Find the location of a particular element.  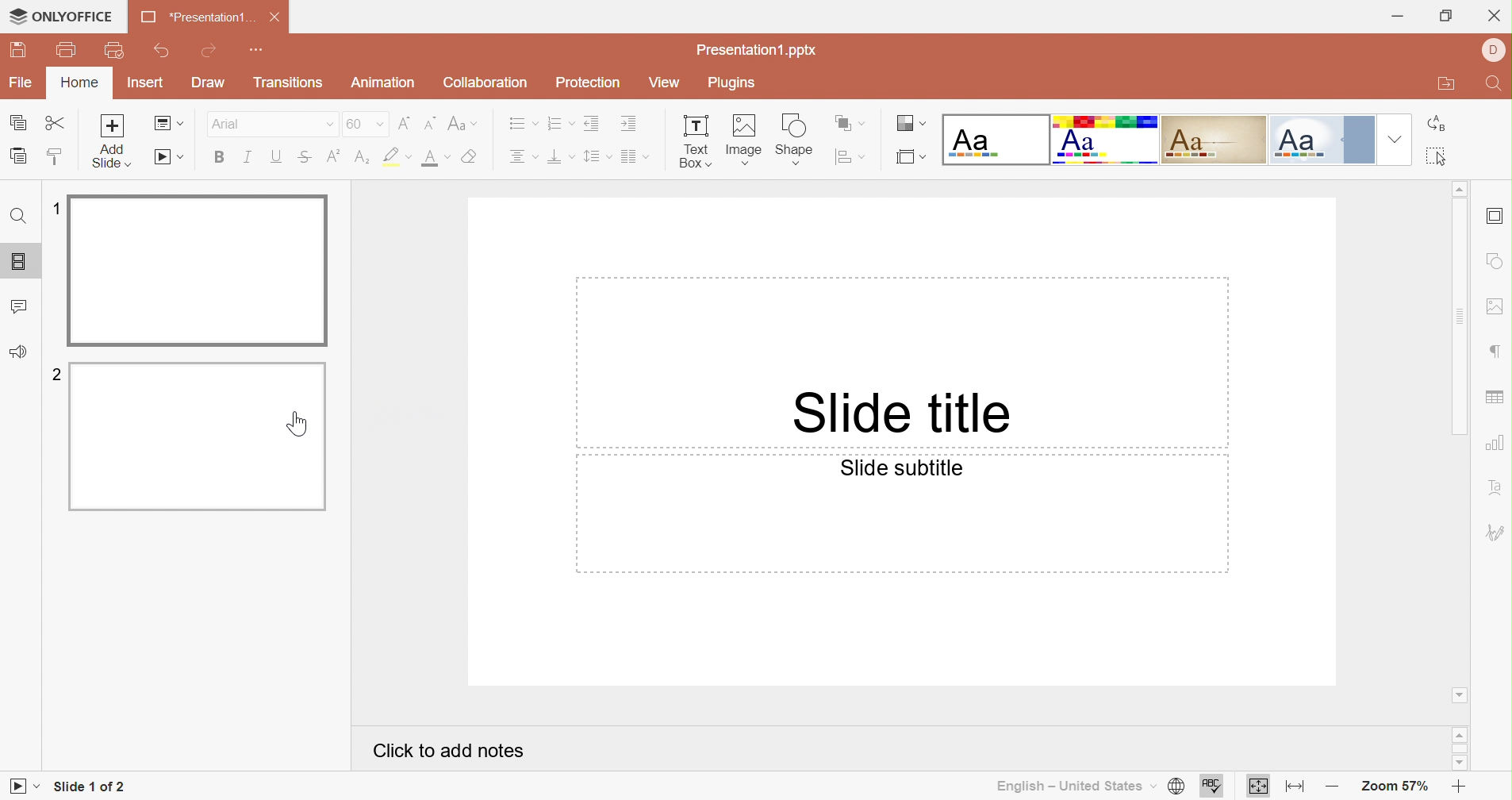

Align shape is located at coordinates (850, 158).